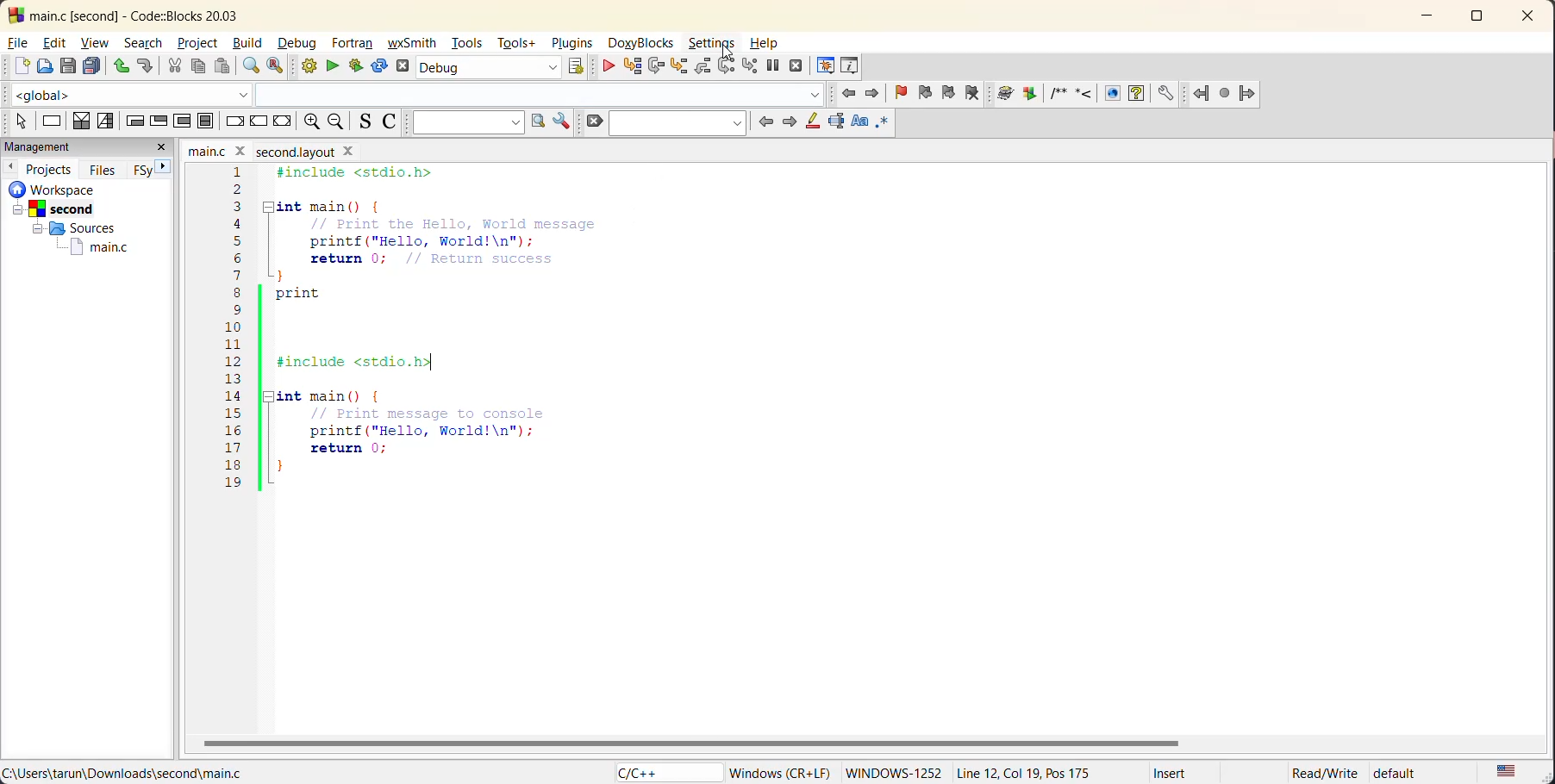 The width and height of the screenshot is (1555, 784). I want to click on show select target dialog, so click(579, 65).